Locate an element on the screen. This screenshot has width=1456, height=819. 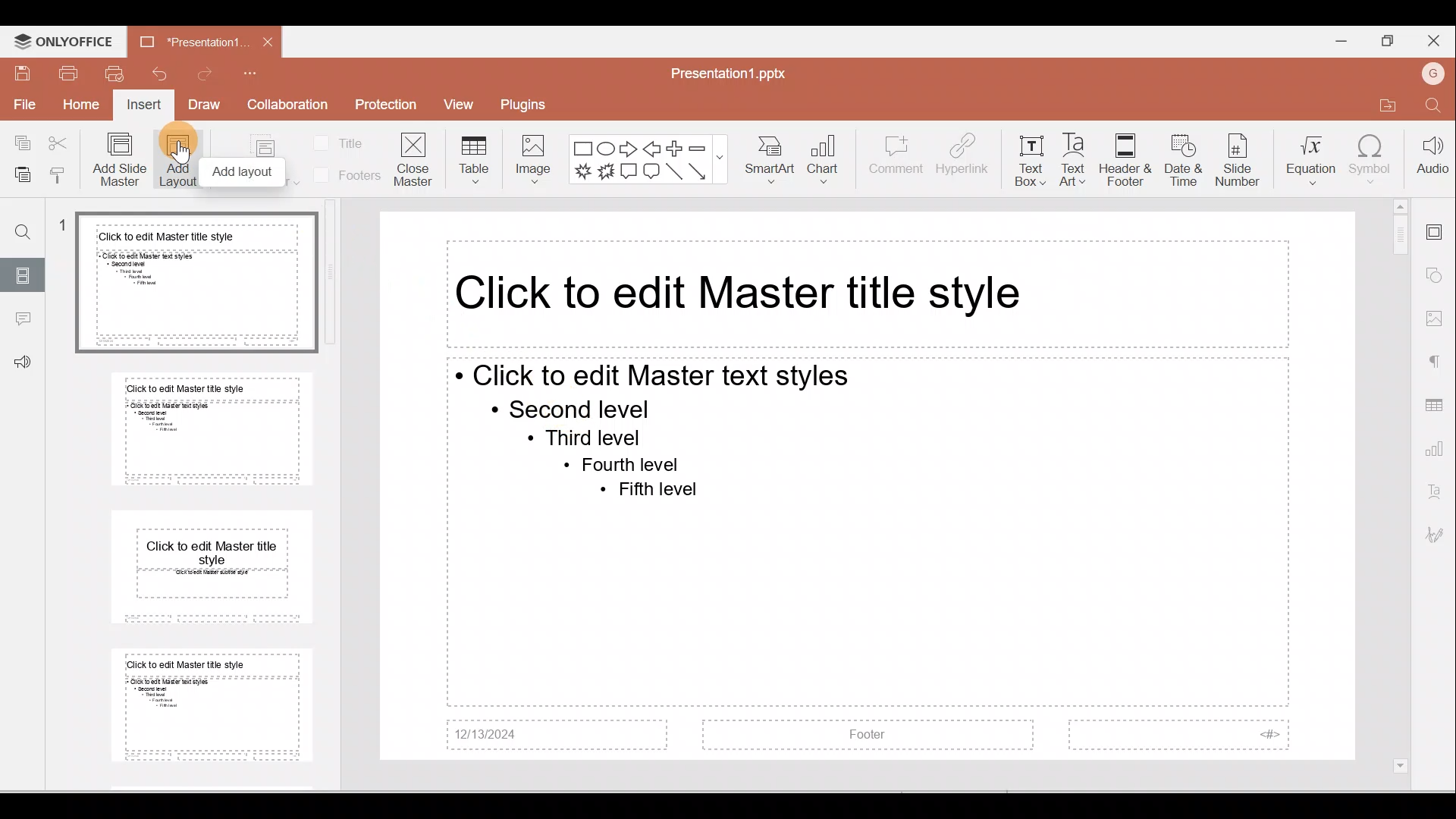
View is located at coordinates (461, 106).